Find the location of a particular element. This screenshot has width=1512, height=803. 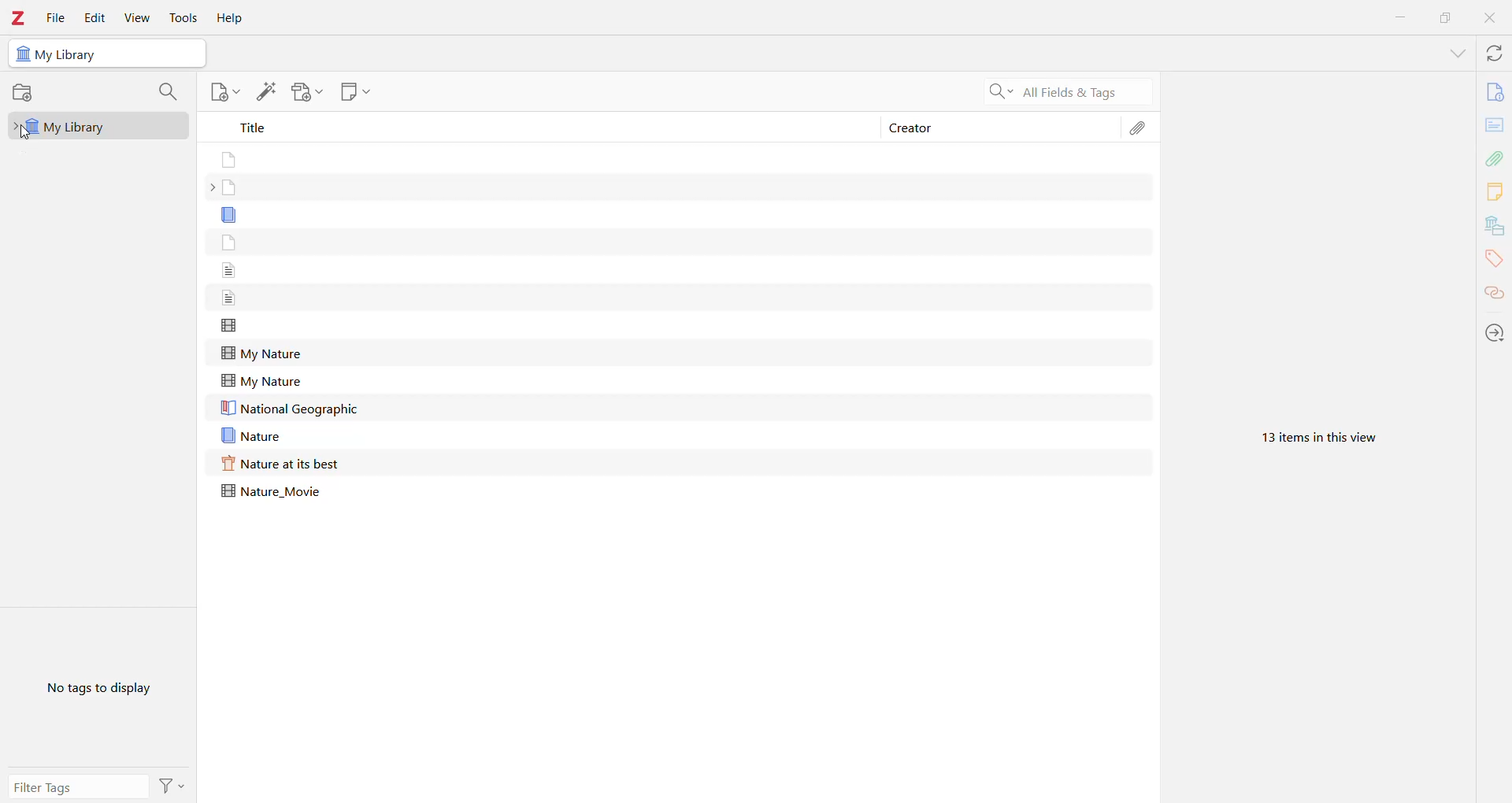

New Item is located at coordinates (222, 94).